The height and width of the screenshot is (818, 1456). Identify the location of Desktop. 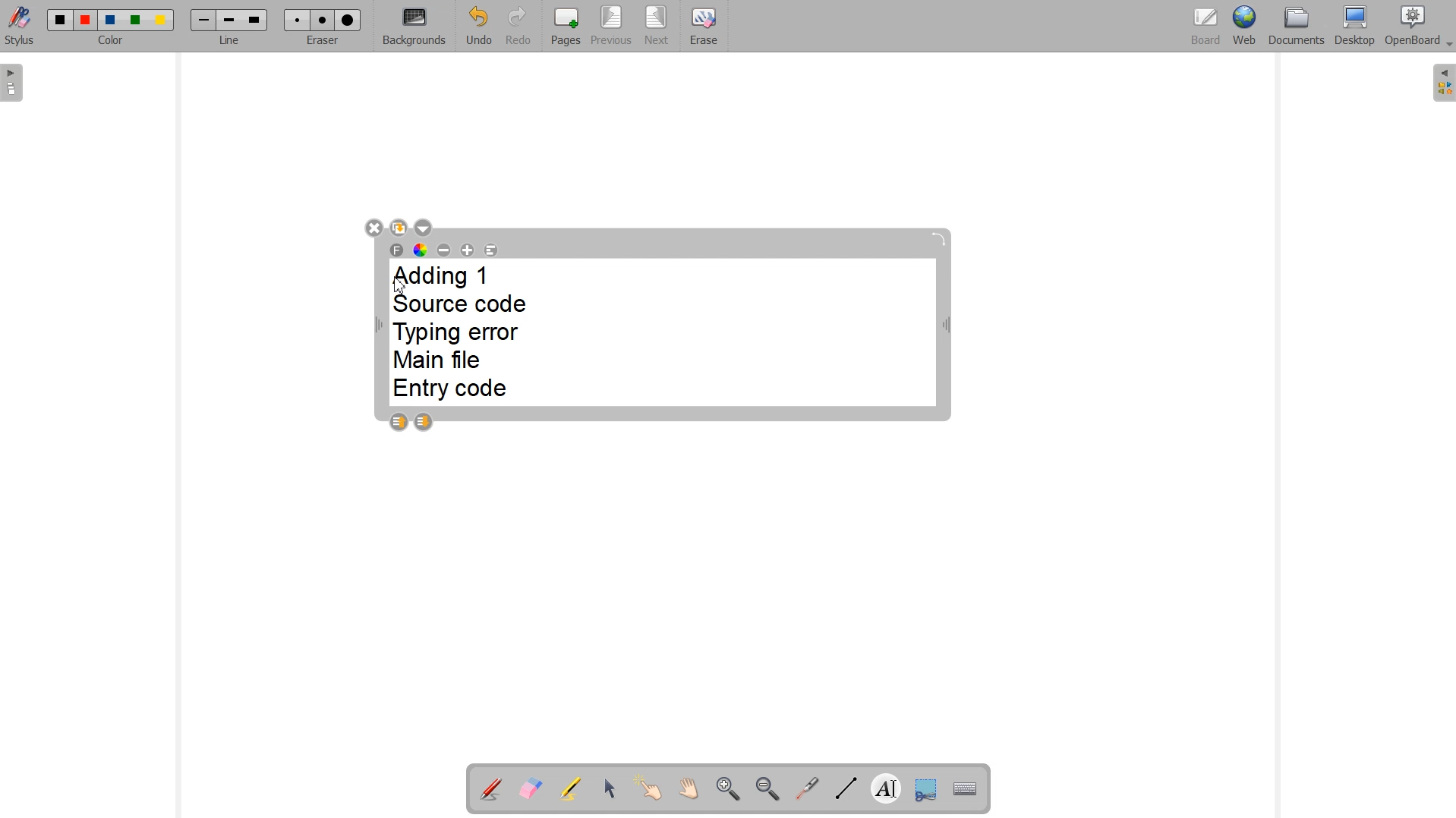
(1355, 27).